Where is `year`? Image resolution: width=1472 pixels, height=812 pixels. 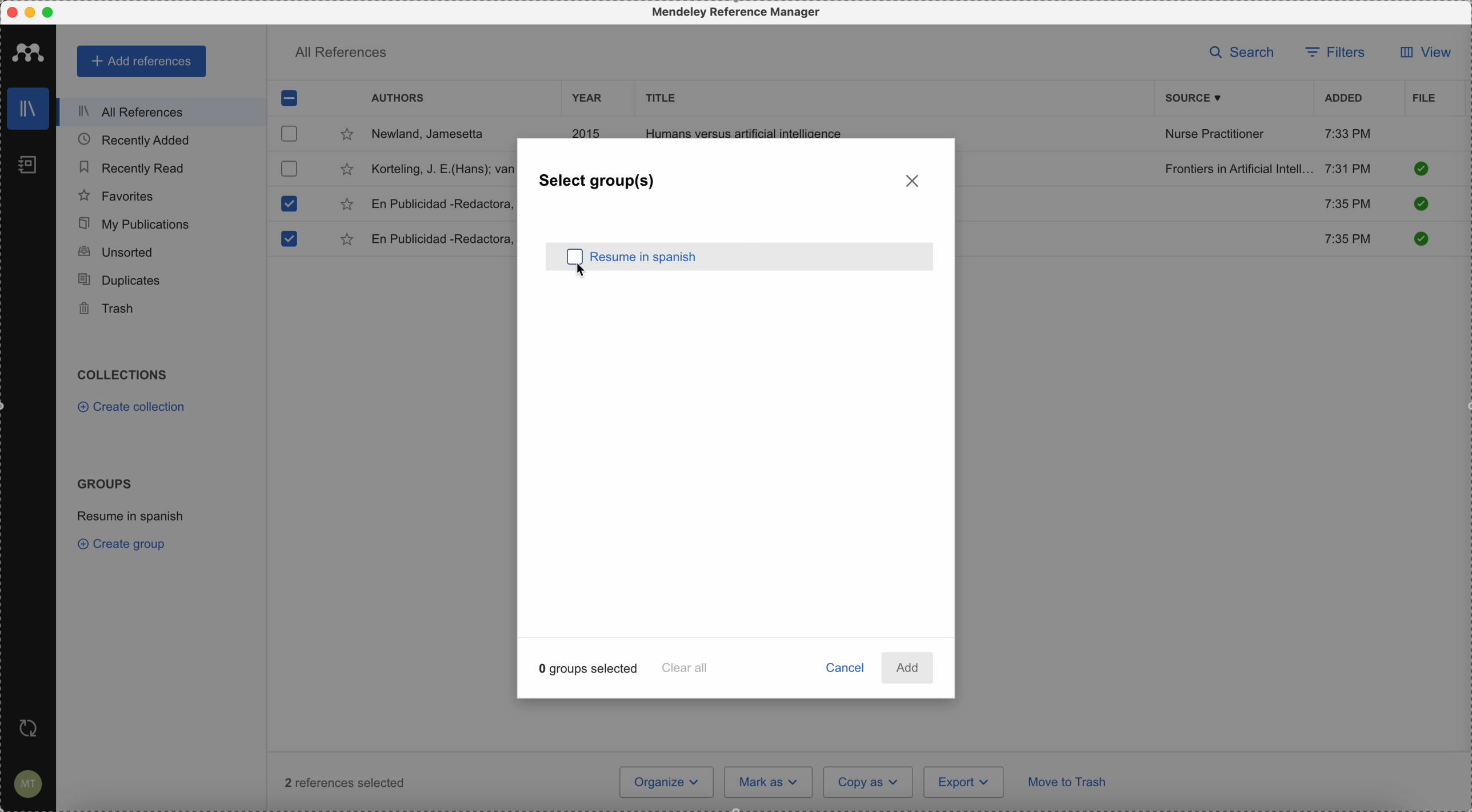 year is located at coordinates (588, 98).